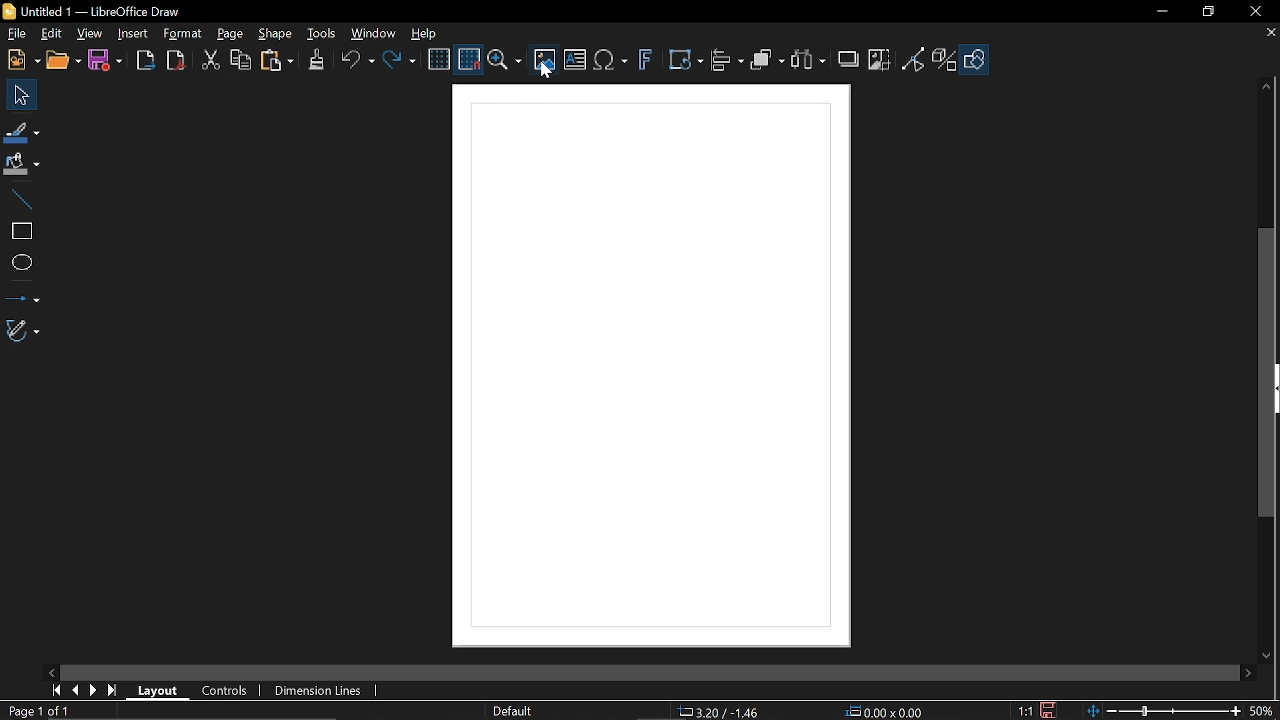  I want to click on Crop , so click(882, 60).